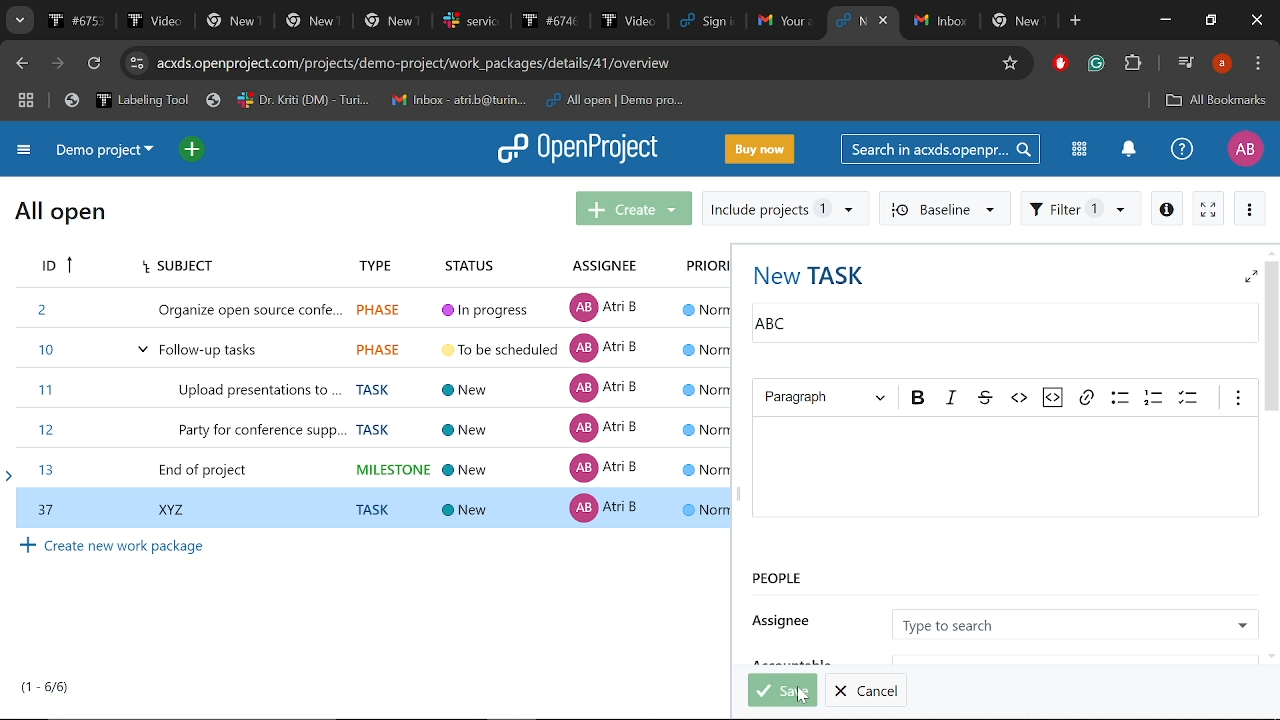 The image size is (1280, 720). What do you see at coordinates (1007, 65) in the screenshot?
I see `Add/remove bookmark` at bounding box center [1007, 65].